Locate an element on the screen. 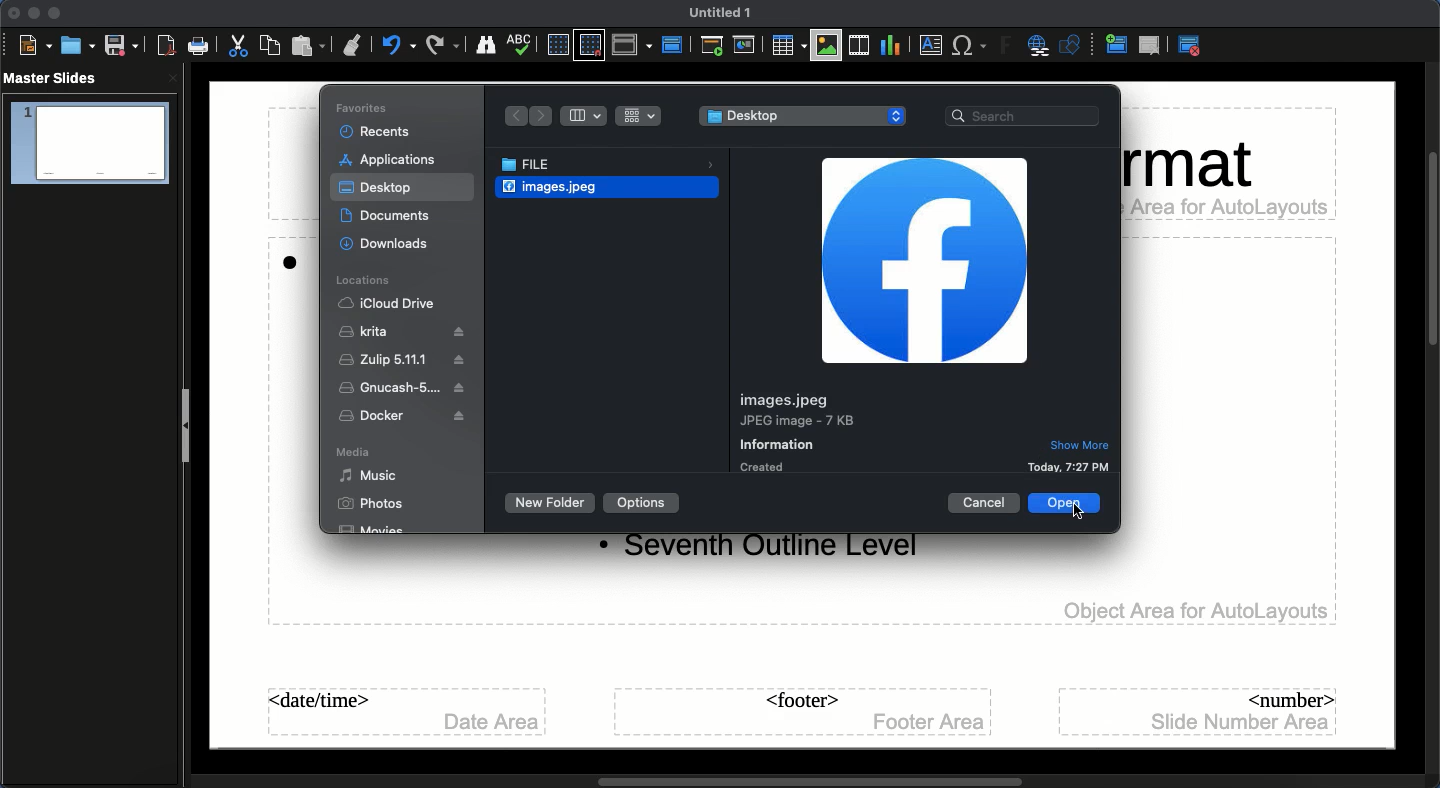  Locations is located at coordinates (365, 279).